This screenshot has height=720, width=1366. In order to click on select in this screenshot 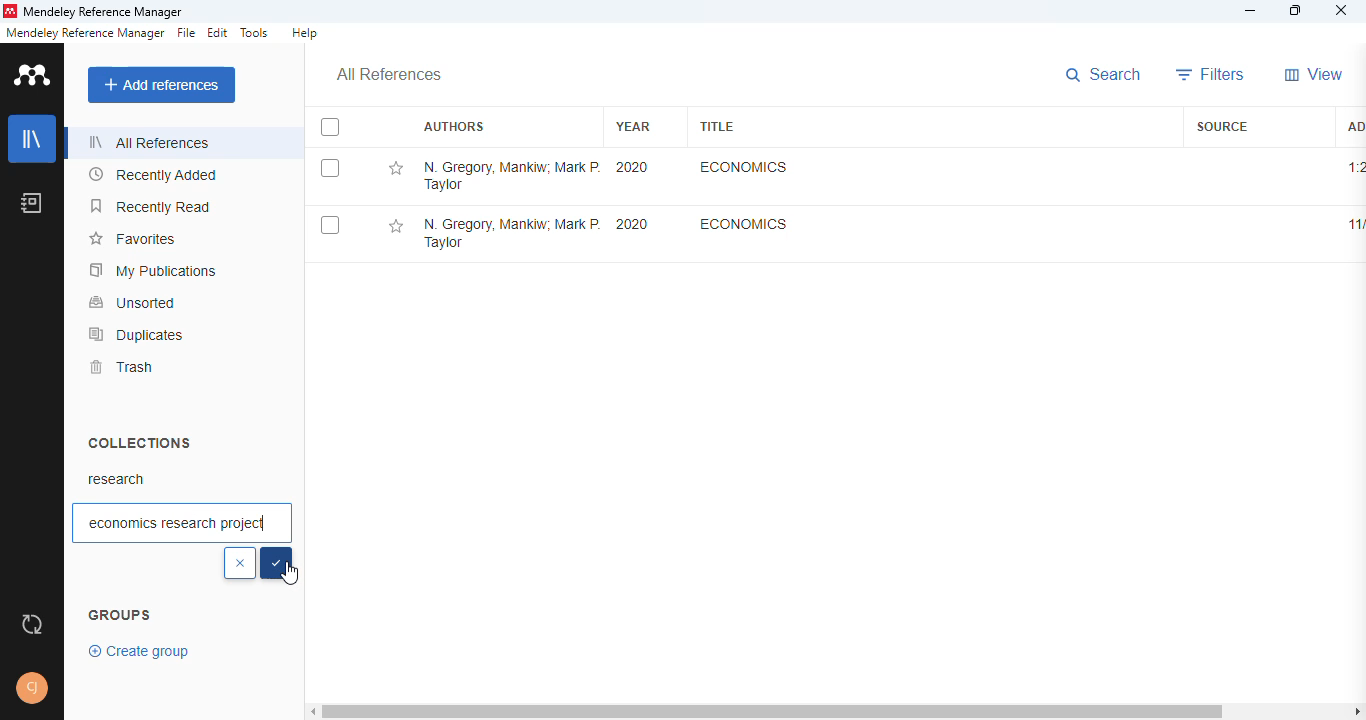, I will do `click(277, 563)`.